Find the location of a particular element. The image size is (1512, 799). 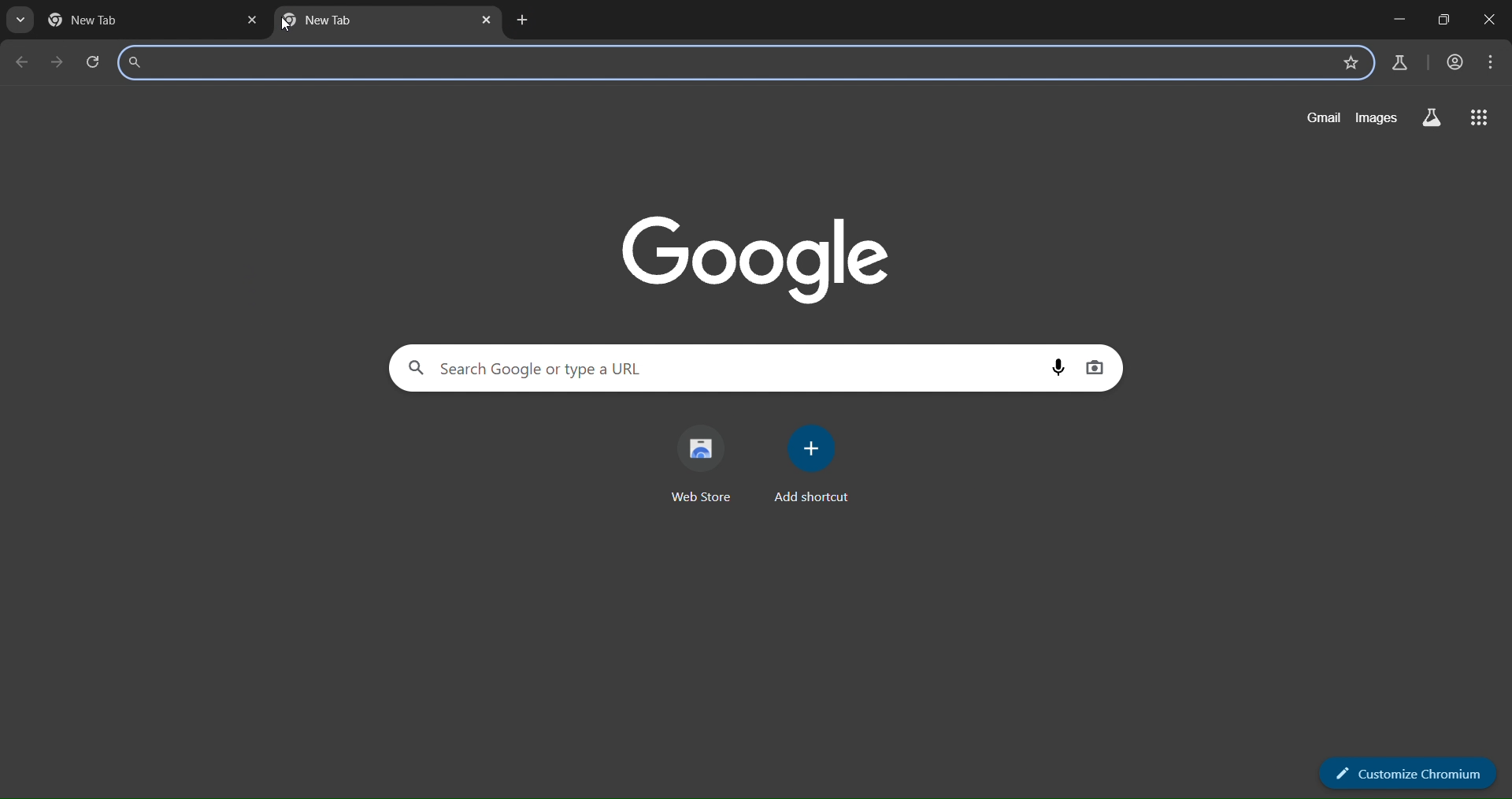

google apps is located at coordinates (1481, 118).